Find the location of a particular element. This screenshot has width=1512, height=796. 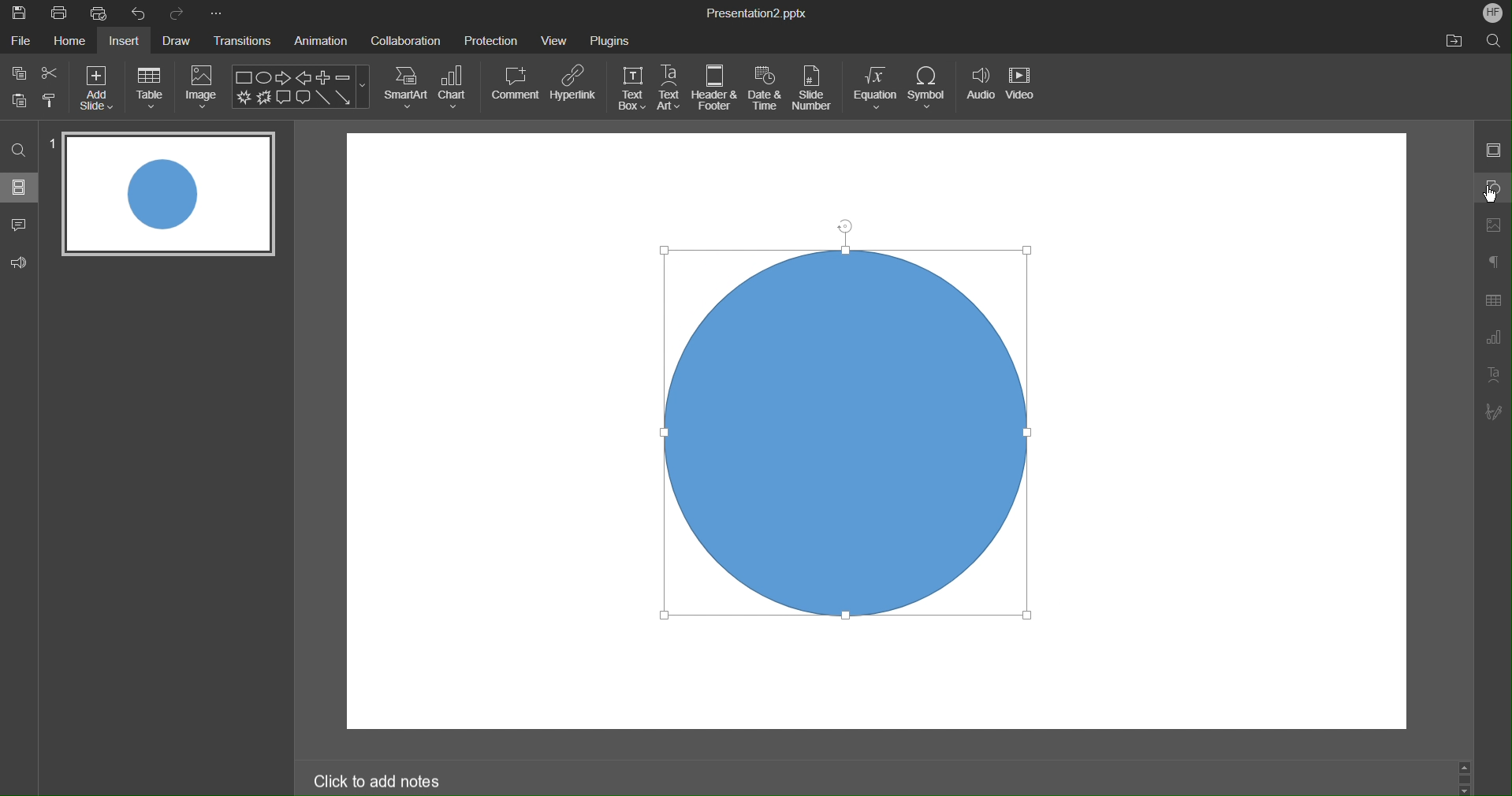

Slide Settings is located at coordinates (1493, 153).